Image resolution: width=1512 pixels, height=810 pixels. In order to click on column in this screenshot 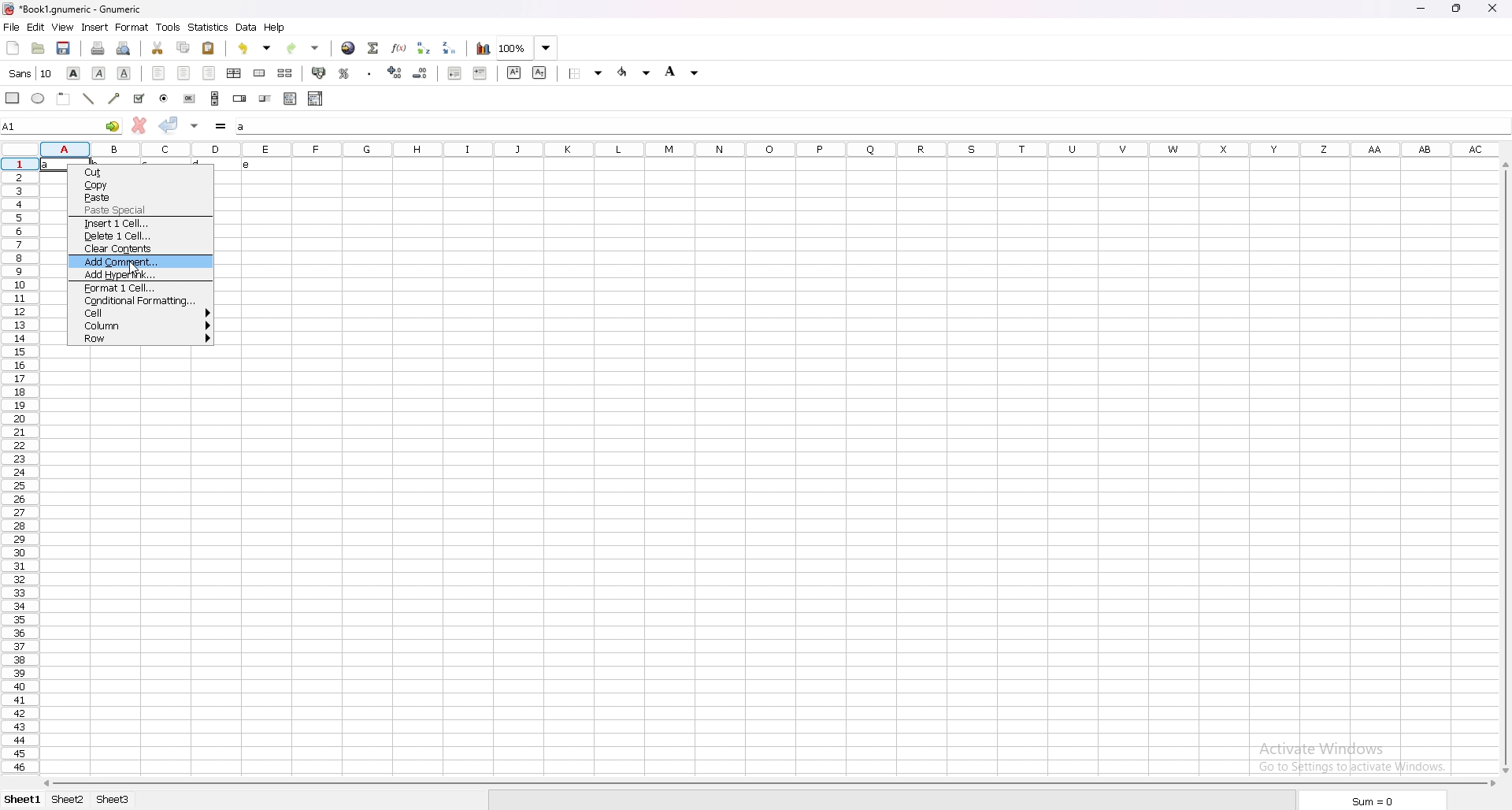, I will do `click(142, 326)`.